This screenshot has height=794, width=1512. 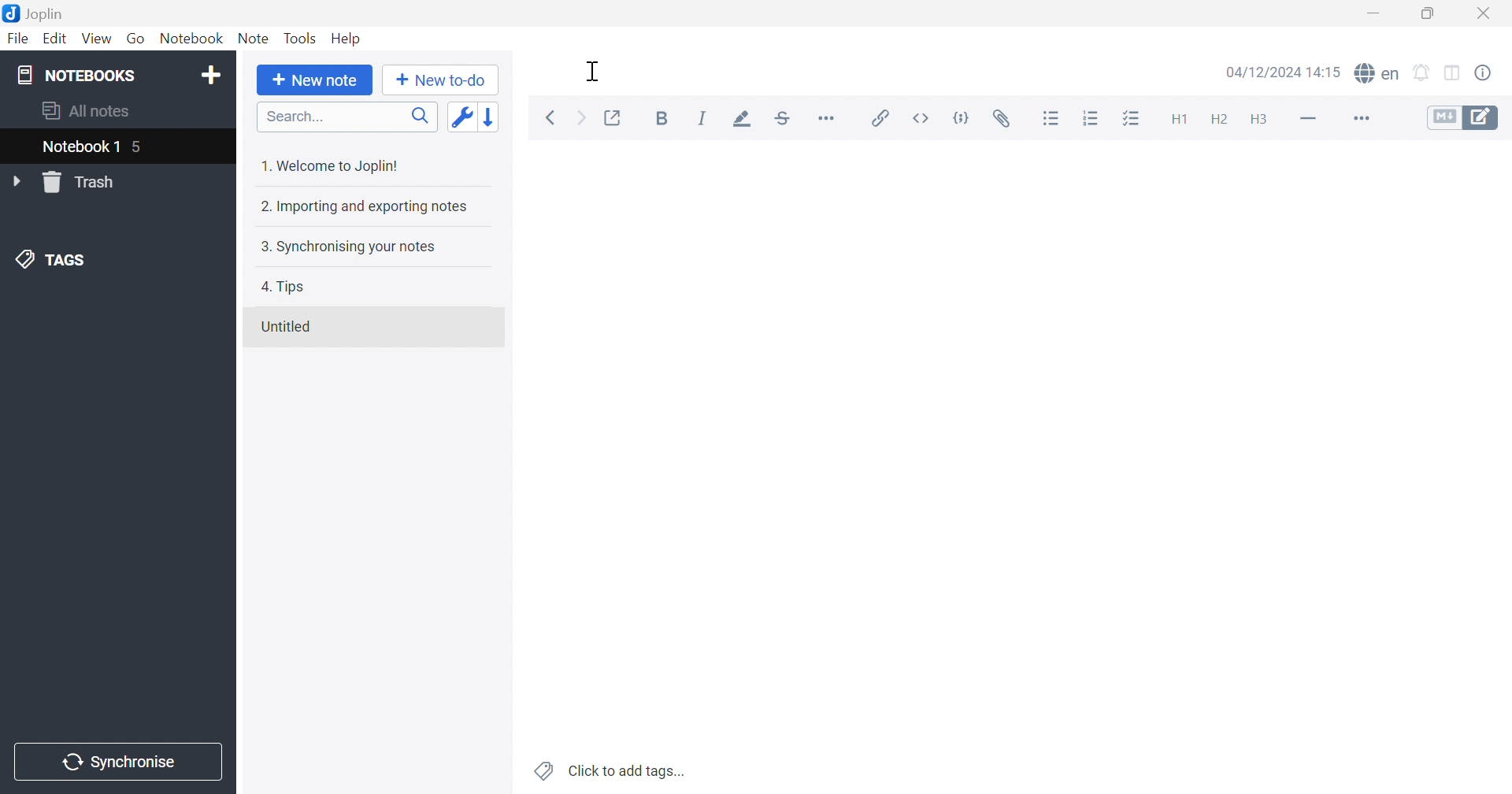 What do you see at coordinates (94, 39) in the screenshot?
I see `View` at bounding box center [94, 39].